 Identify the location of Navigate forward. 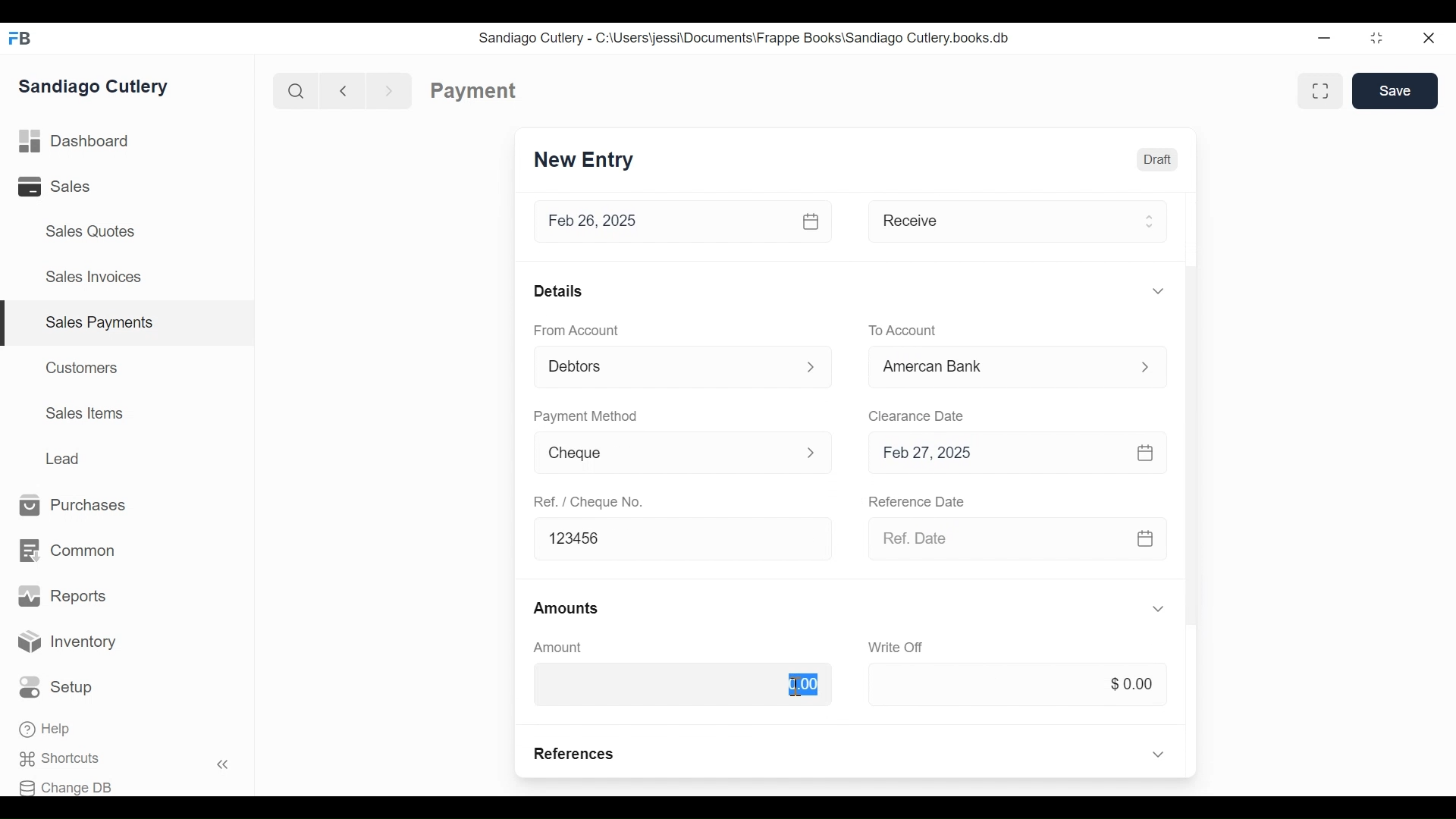
(390, 89).